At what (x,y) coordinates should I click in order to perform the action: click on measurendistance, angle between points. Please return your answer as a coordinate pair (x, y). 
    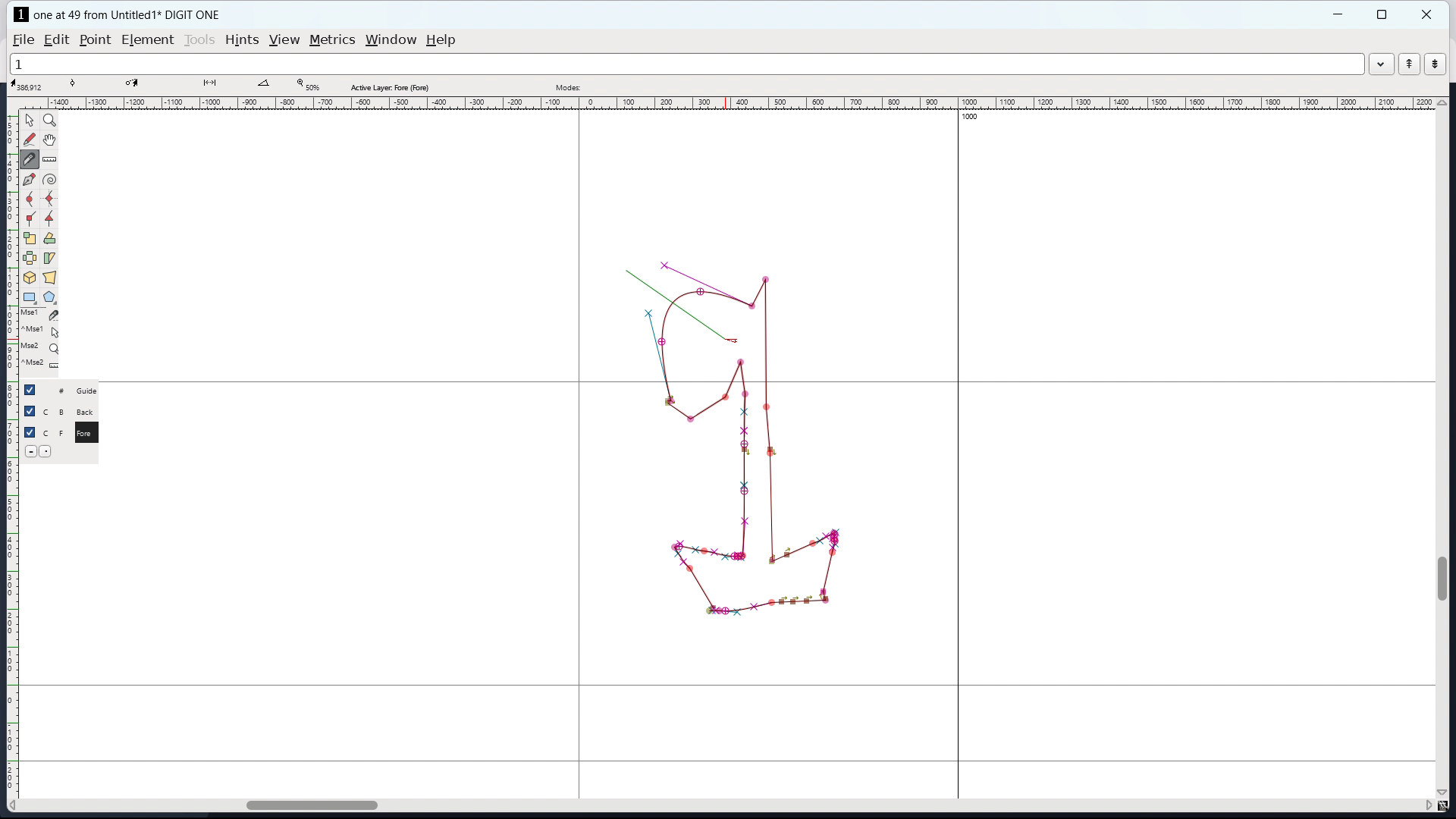
    Looking at the image, I should click on (53, 158).